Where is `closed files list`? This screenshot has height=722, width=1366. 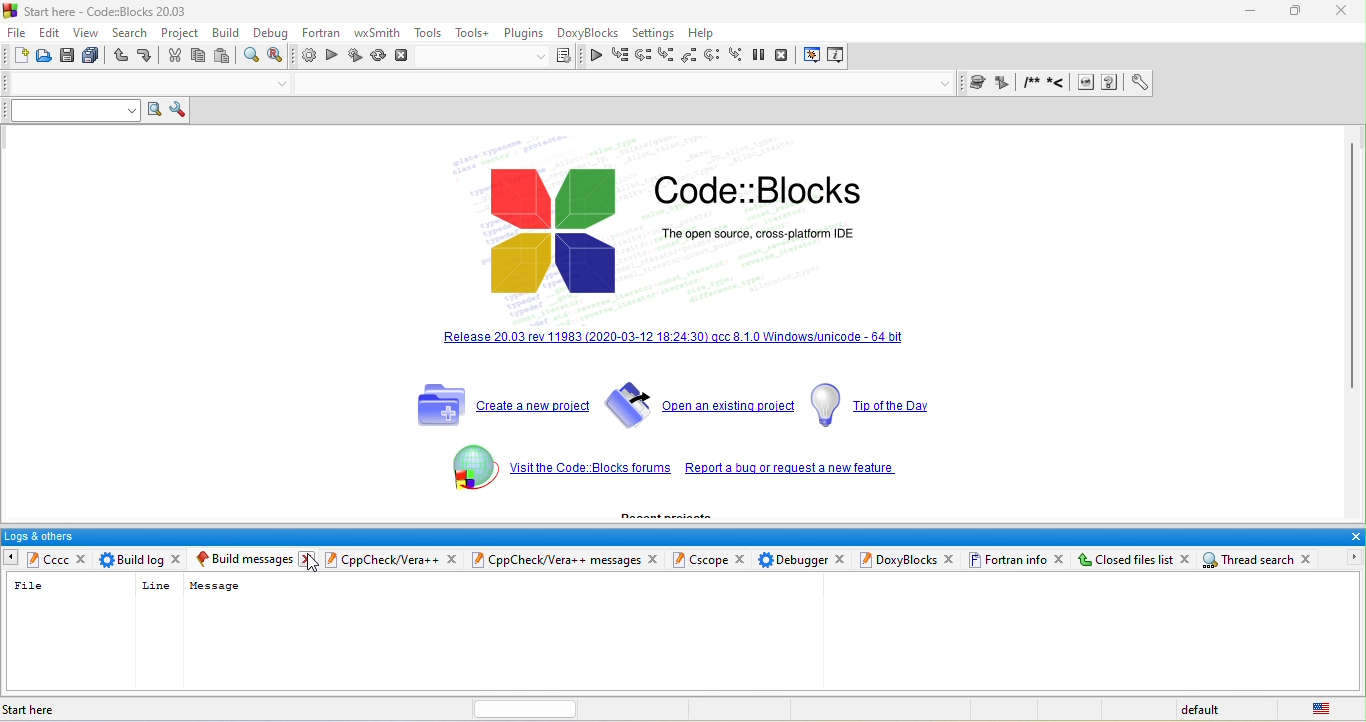
closed files list is located at coordinates (1125, 559).